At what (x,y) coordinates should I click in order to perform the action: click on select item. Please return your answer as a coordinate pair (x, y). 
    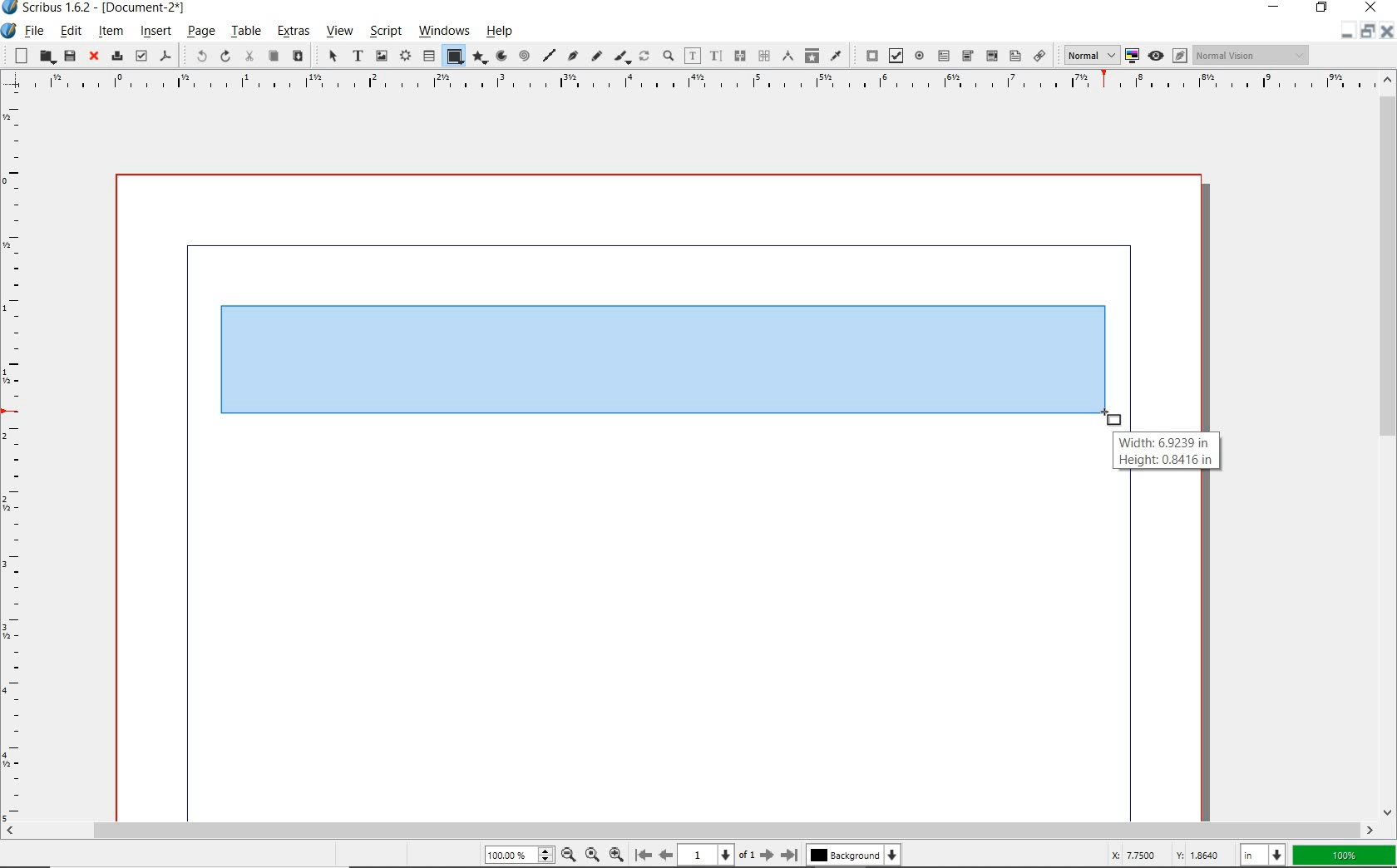
    Looking at the image, I should click on (332, 55).